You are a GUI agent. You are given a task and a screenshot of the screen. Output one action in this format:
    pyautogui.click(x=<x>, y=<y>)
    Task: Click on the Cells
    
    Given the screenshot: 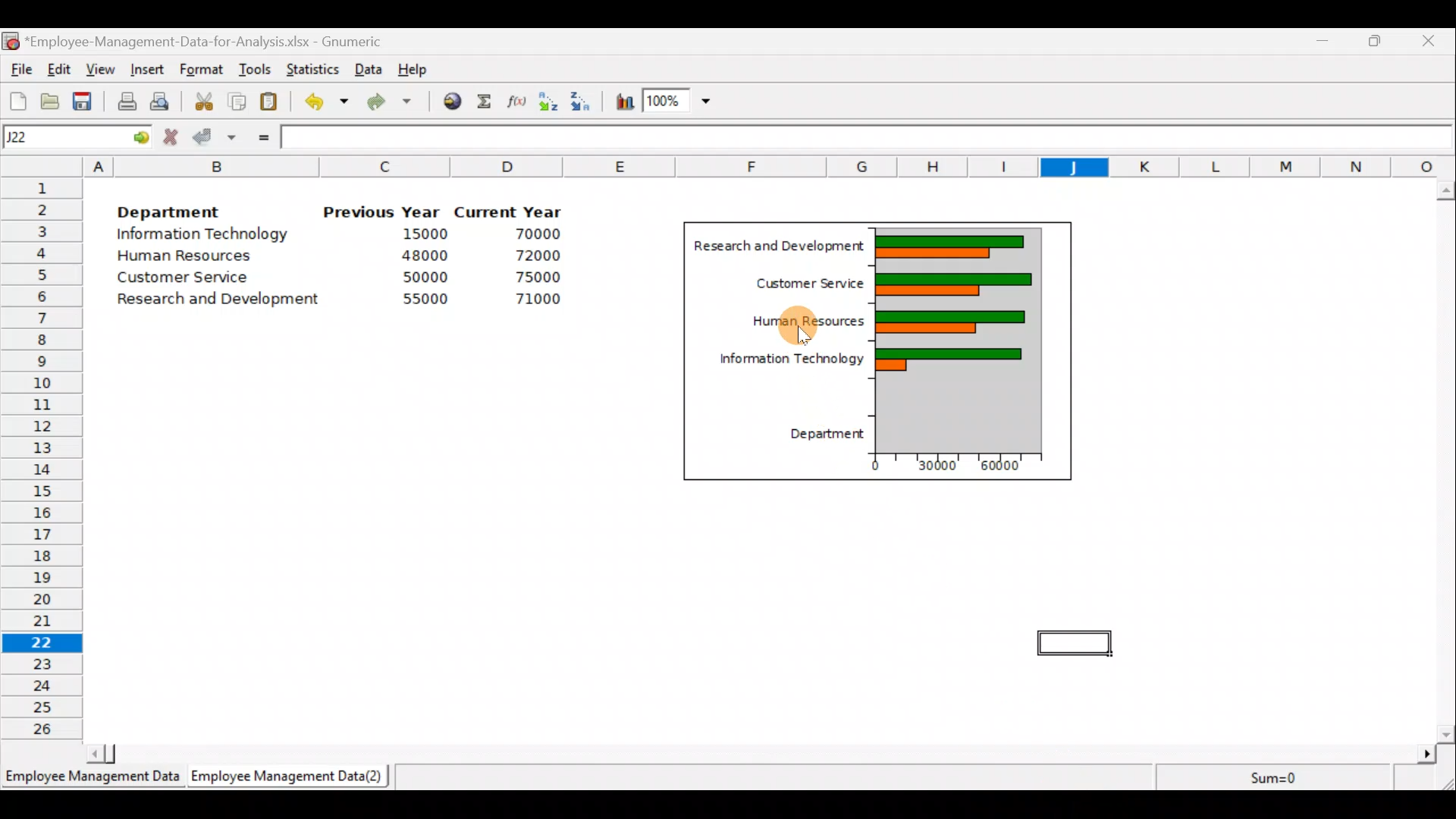 What is the action you would take?
    pyautogui.click(x=766, y=613)
    